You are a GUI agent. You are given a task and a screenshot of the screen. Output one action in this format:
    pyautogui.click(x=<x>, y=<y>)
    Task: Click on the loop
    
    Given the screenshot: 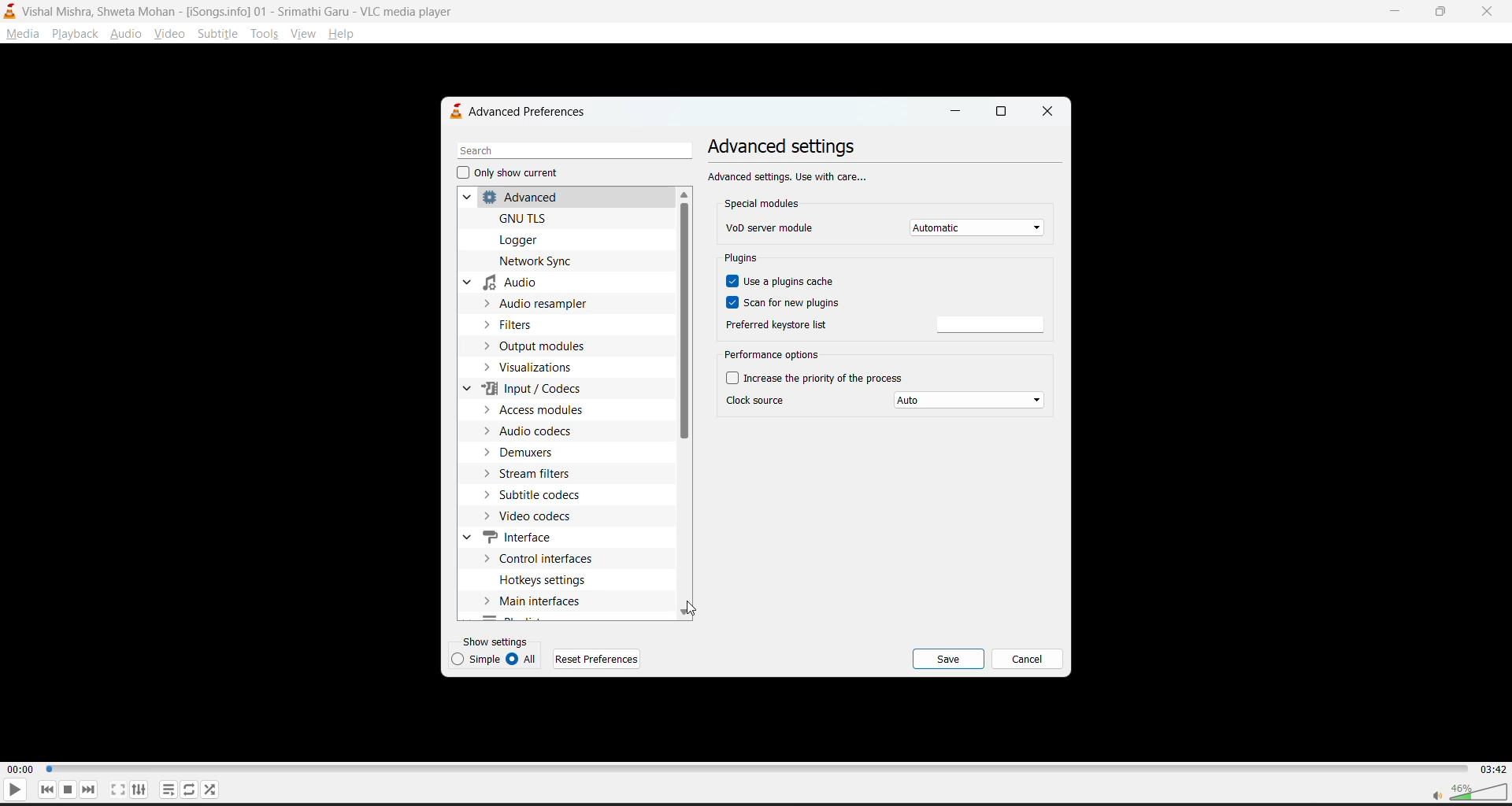 What is the action you would take?
    pyautogui.click(x=184, y=786)
    